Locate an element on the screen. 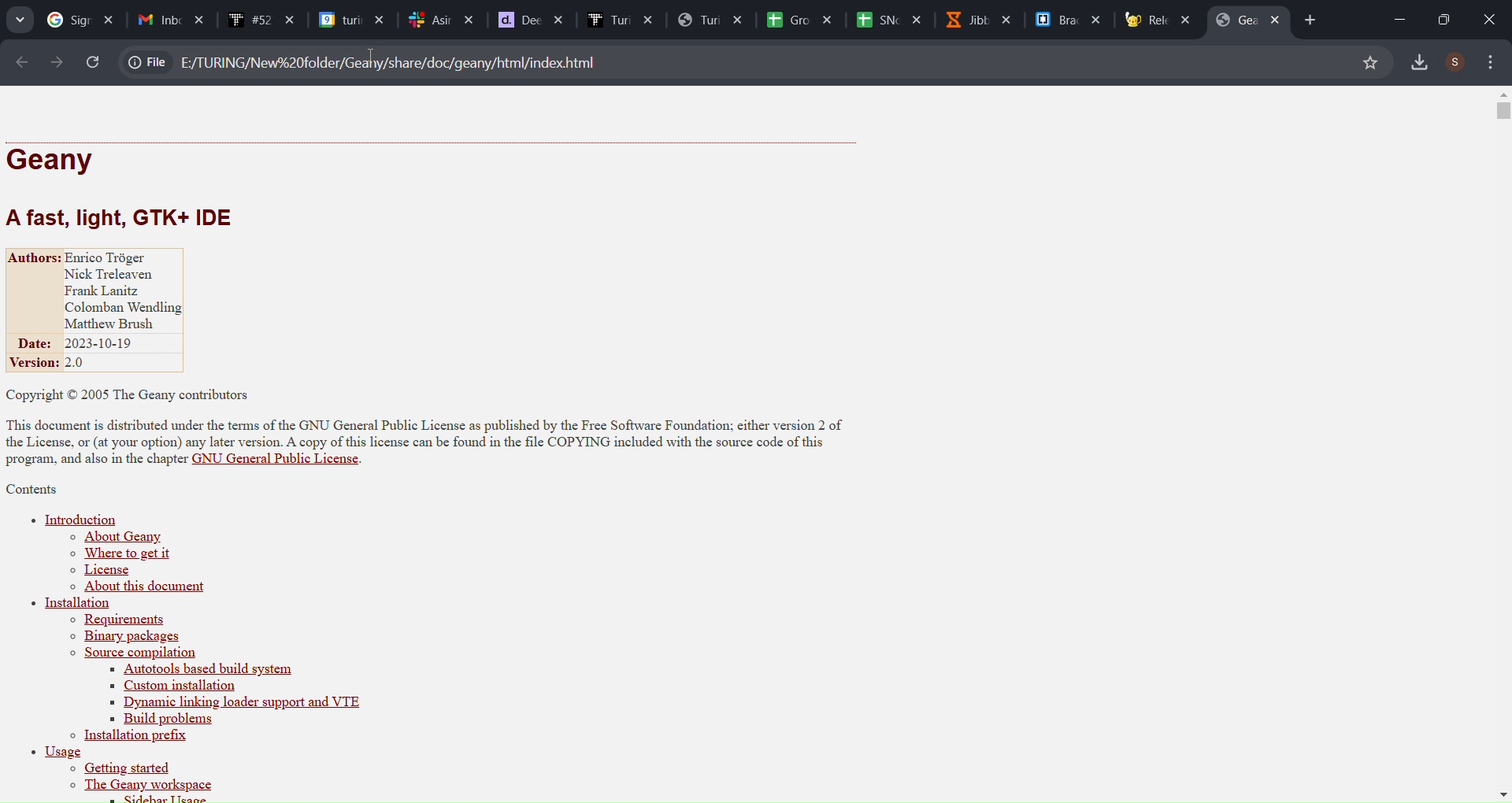  tab dropdown is located at coordinates (20, 20).